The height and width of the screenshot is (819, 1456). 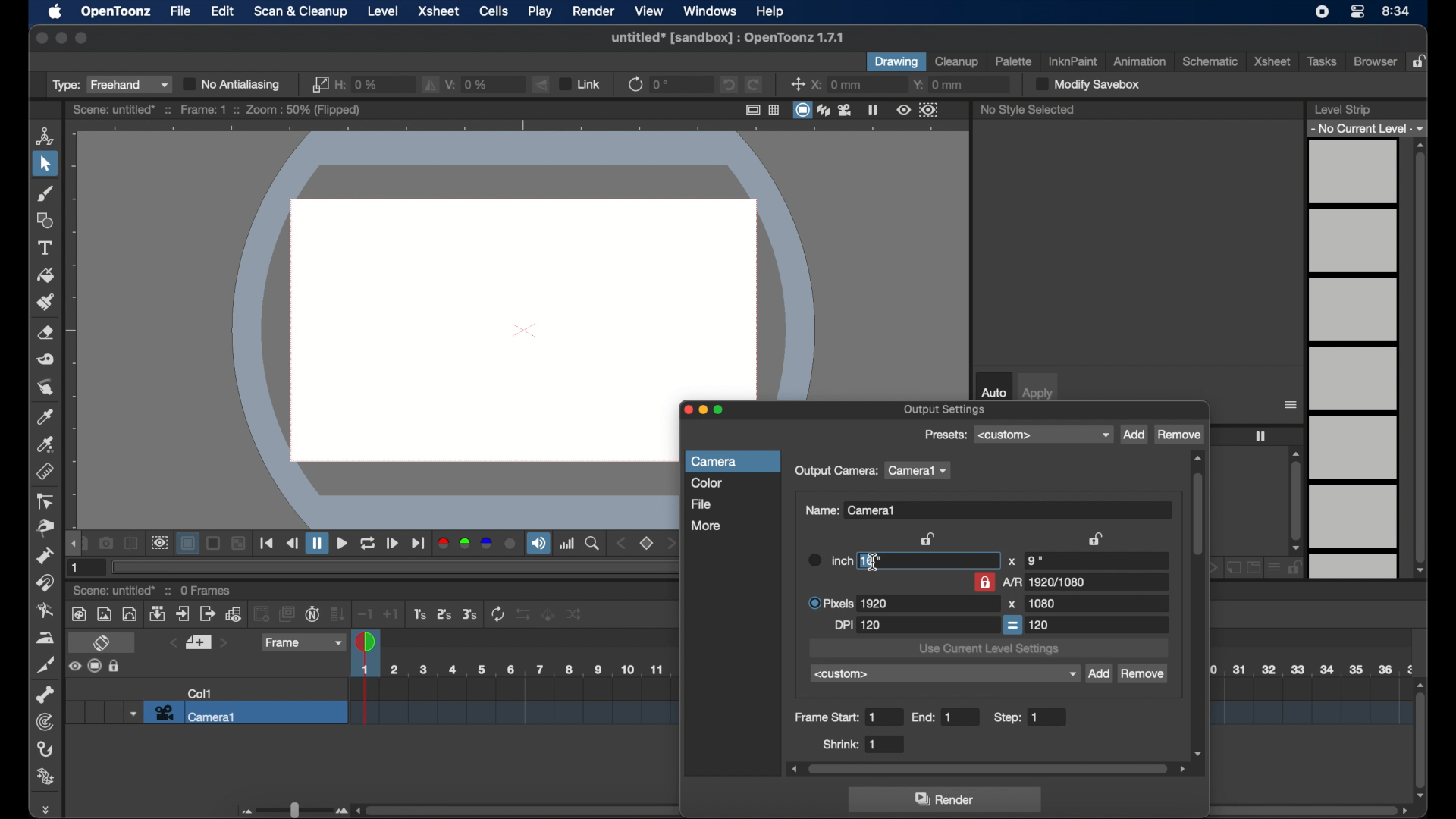 What do you see at coordinates (240, 544) in the screenshot?
I see `` at bounding box center [240, 544].